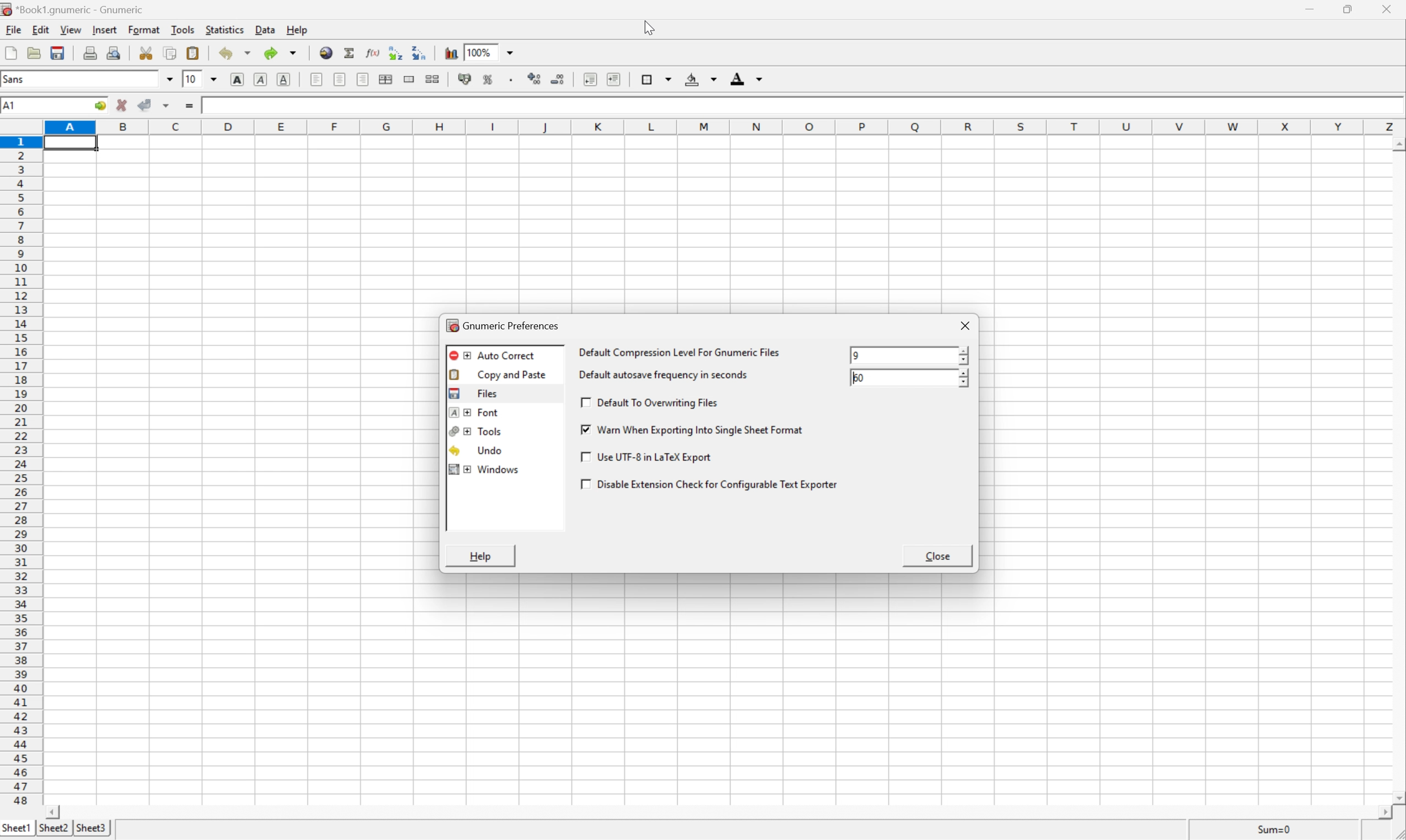 Image resolution: width=1406 pixels, height=840 pixels. What do you see at coordinates (122, 104) in the screenshot?
I see `cancel selection` at bounding box center [122, 104].